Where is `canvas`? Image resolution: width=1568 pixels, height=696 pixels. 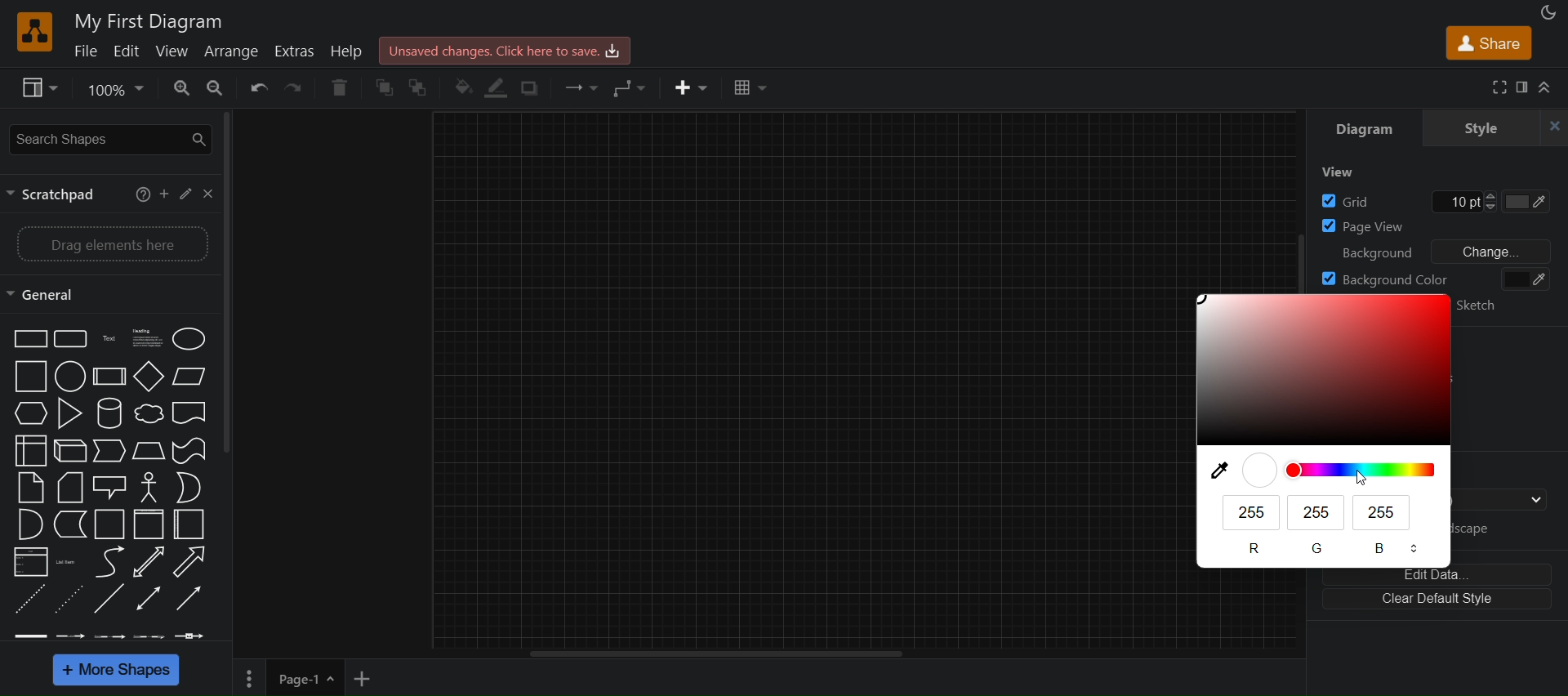 canvas is located at coordinates (808, 388).